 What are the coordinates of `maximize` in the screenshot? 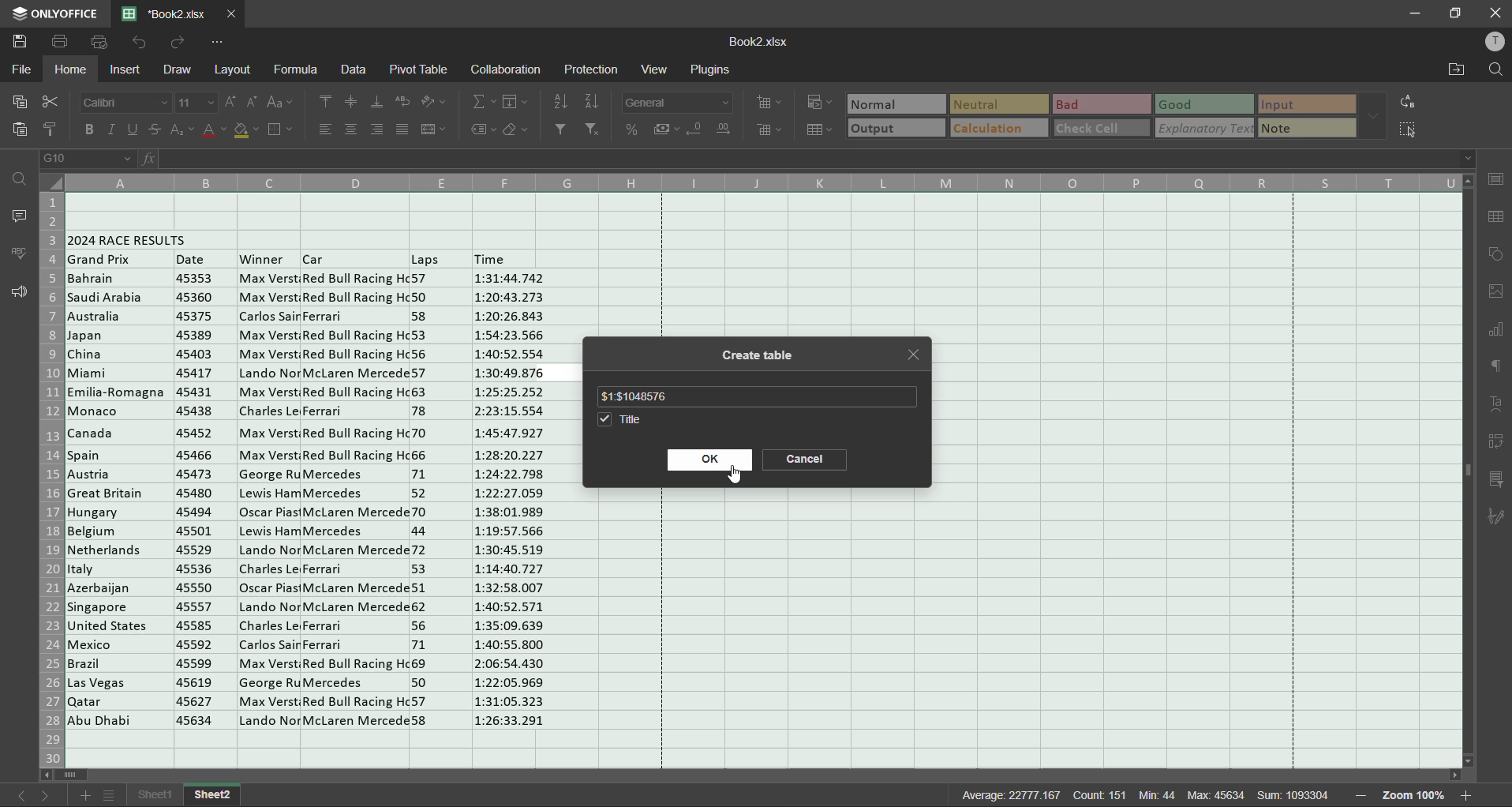 It's located at (1458, 12).